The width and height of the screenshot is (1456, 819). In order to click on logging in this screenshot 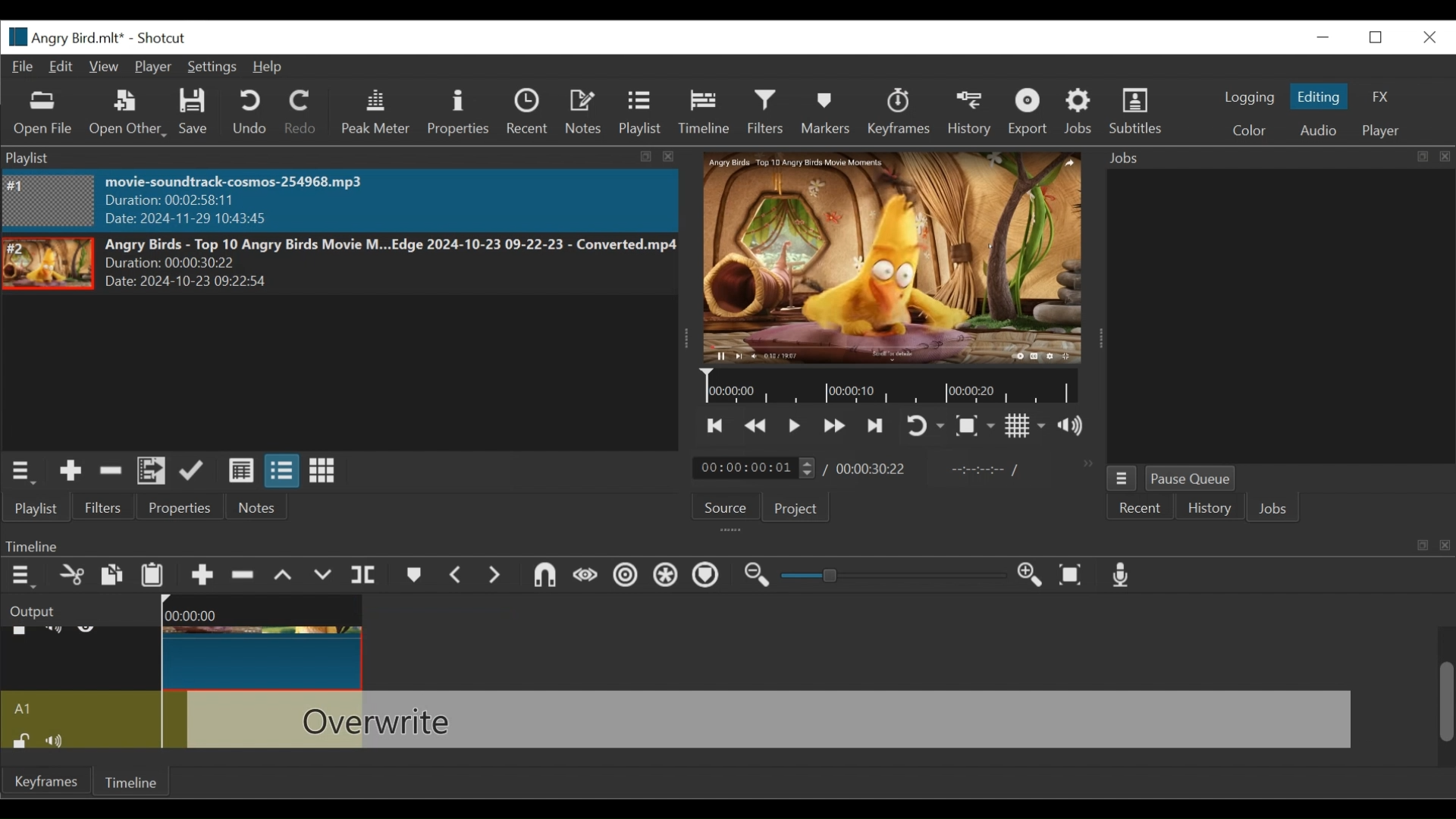, I will do `click(1250, 97)`.